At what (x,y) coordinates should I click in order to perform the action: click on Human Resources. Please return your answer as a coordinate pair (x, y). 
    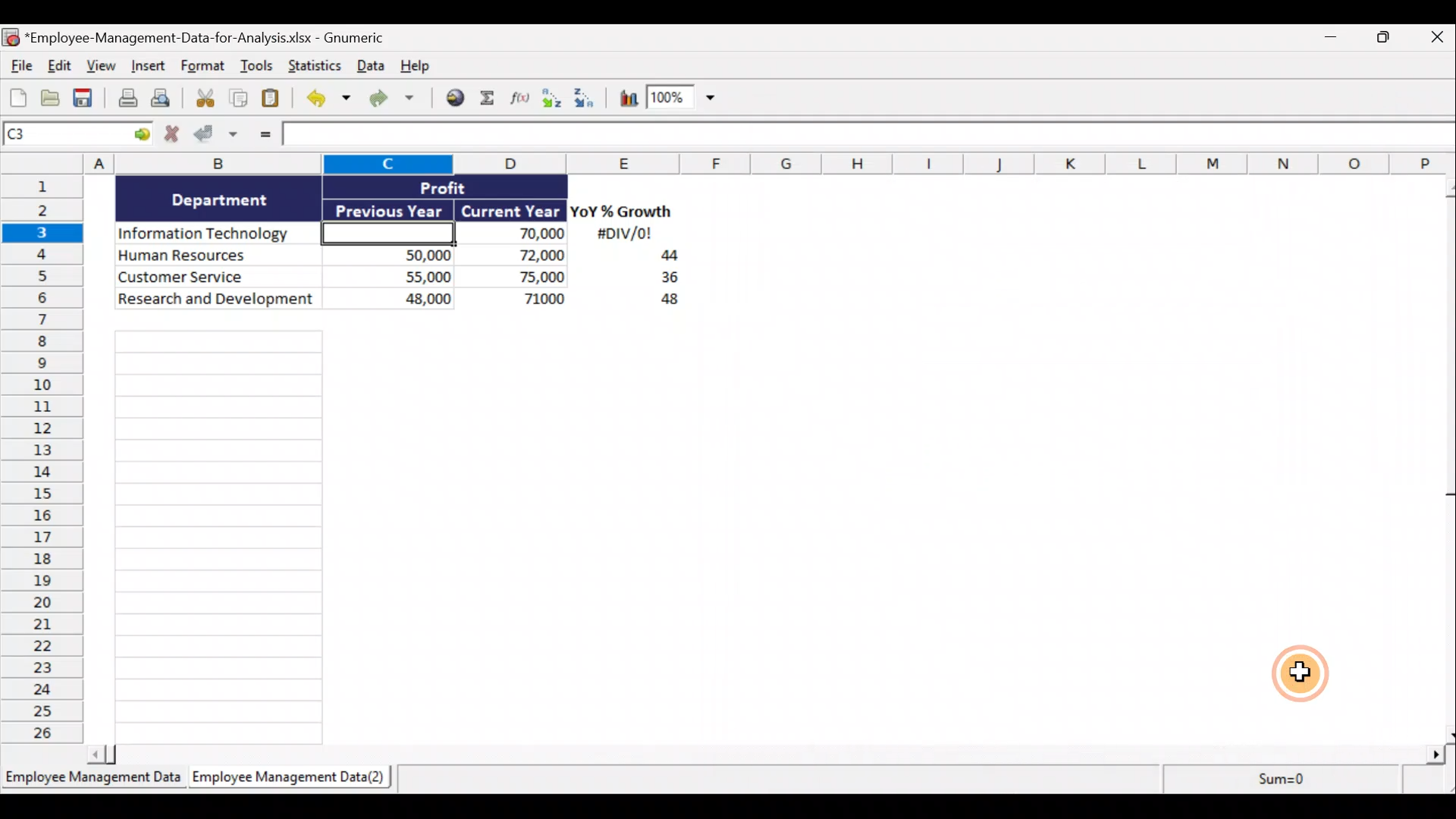
    Looking at the image, I should click on (215, 256).